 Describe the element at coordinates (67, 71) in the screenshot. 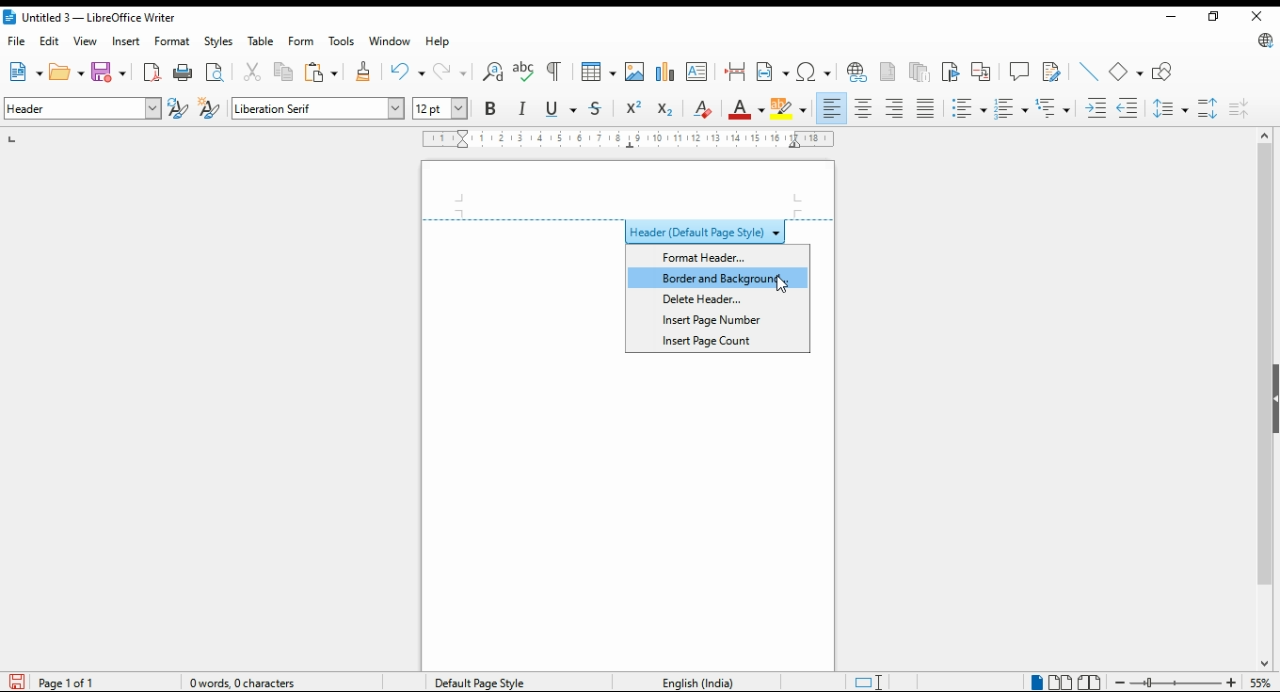

I see `open` at that location.